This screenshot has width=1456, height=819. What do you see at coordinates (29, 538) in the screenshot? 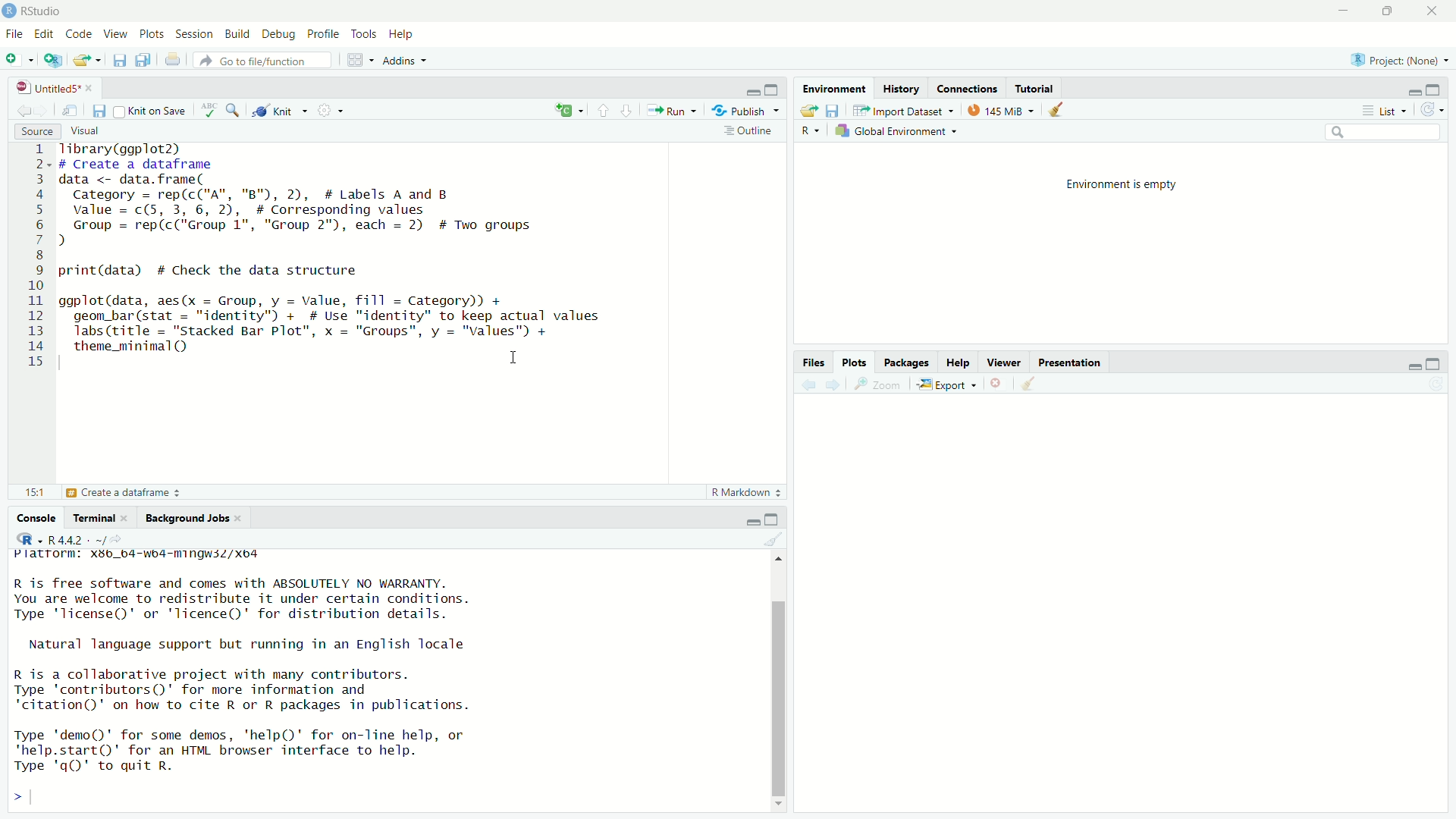
I see `R` at bounding box center [29, 538].